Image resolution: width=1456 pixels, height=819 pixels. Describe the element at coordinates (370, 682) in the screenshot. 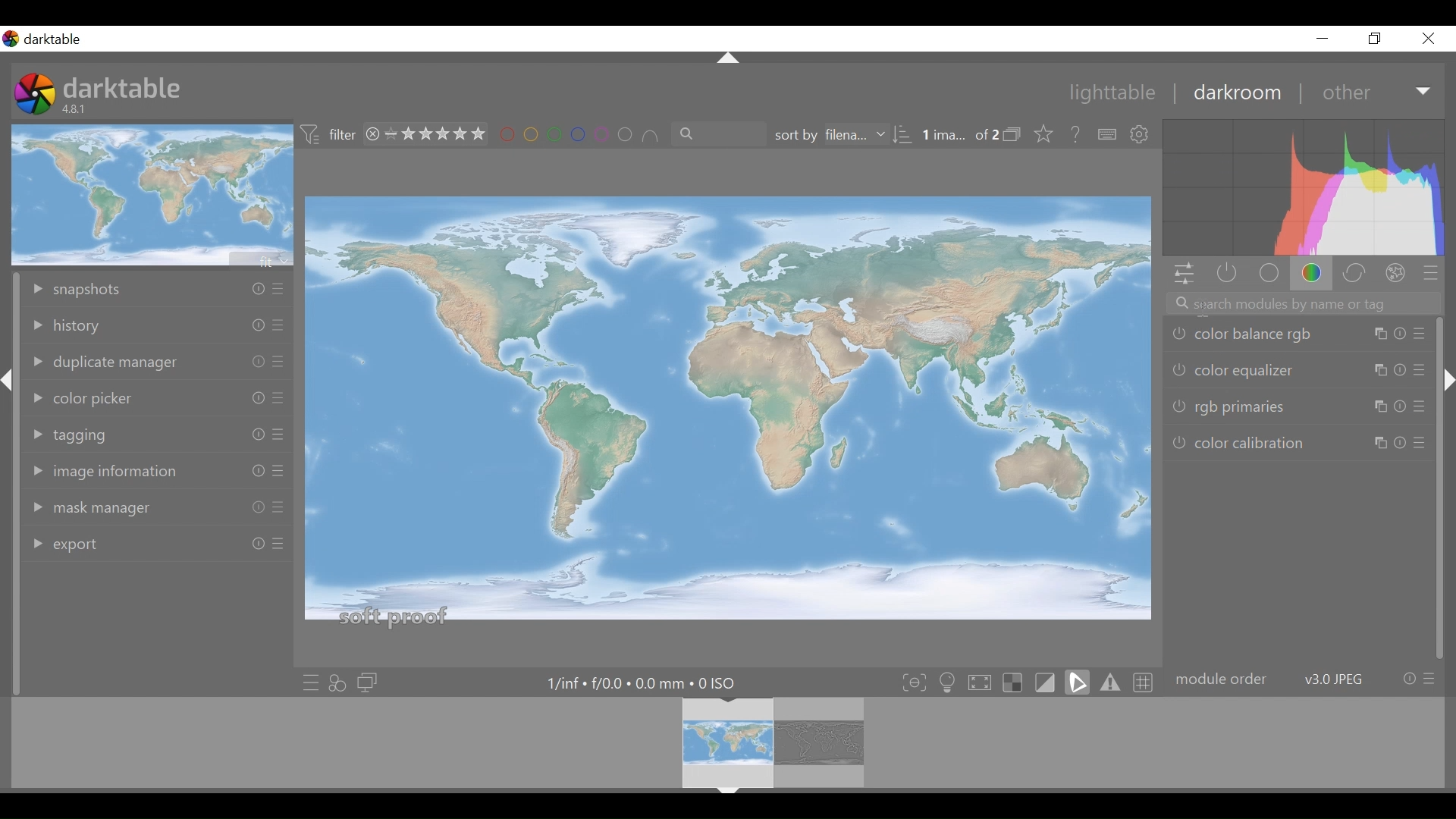

I see `display a second darkroom image window` at that location.